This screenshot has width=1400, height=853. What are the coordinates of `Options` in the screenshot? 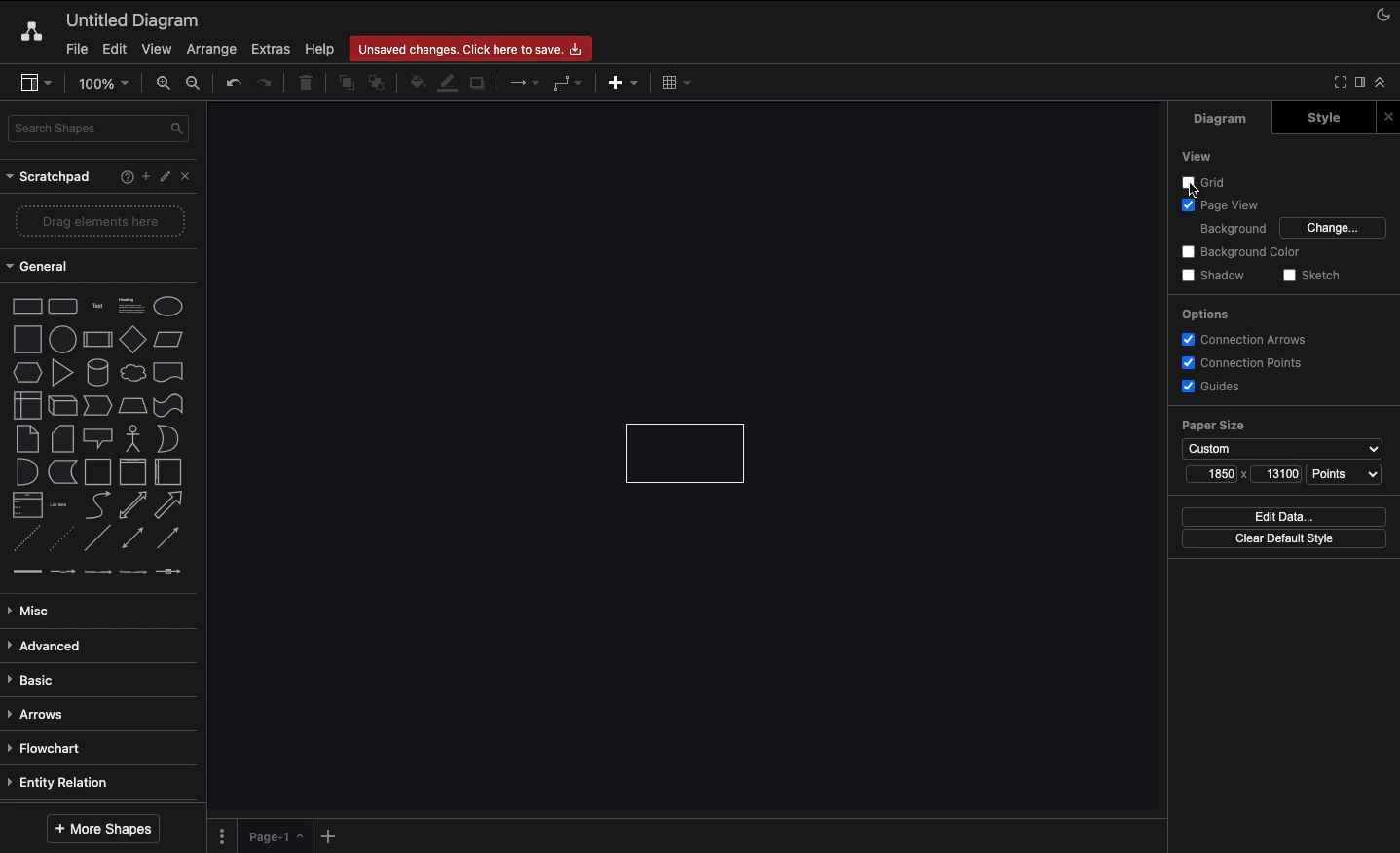 It's located at (1209, 314).